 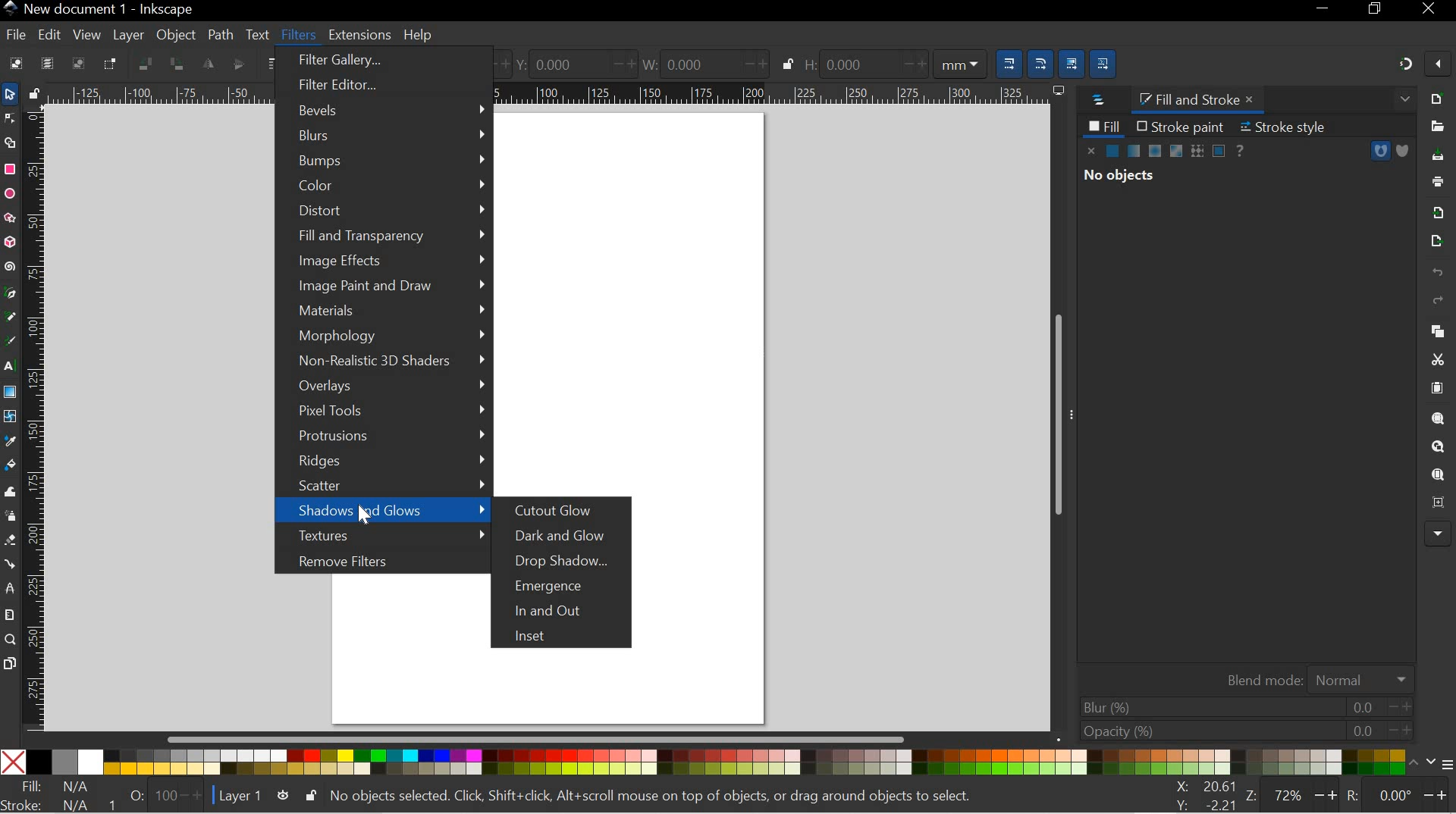 What do you see at coordinates (384, 213) in the screenshot?
I see `DISTORT` at bounding box center [384, 213].